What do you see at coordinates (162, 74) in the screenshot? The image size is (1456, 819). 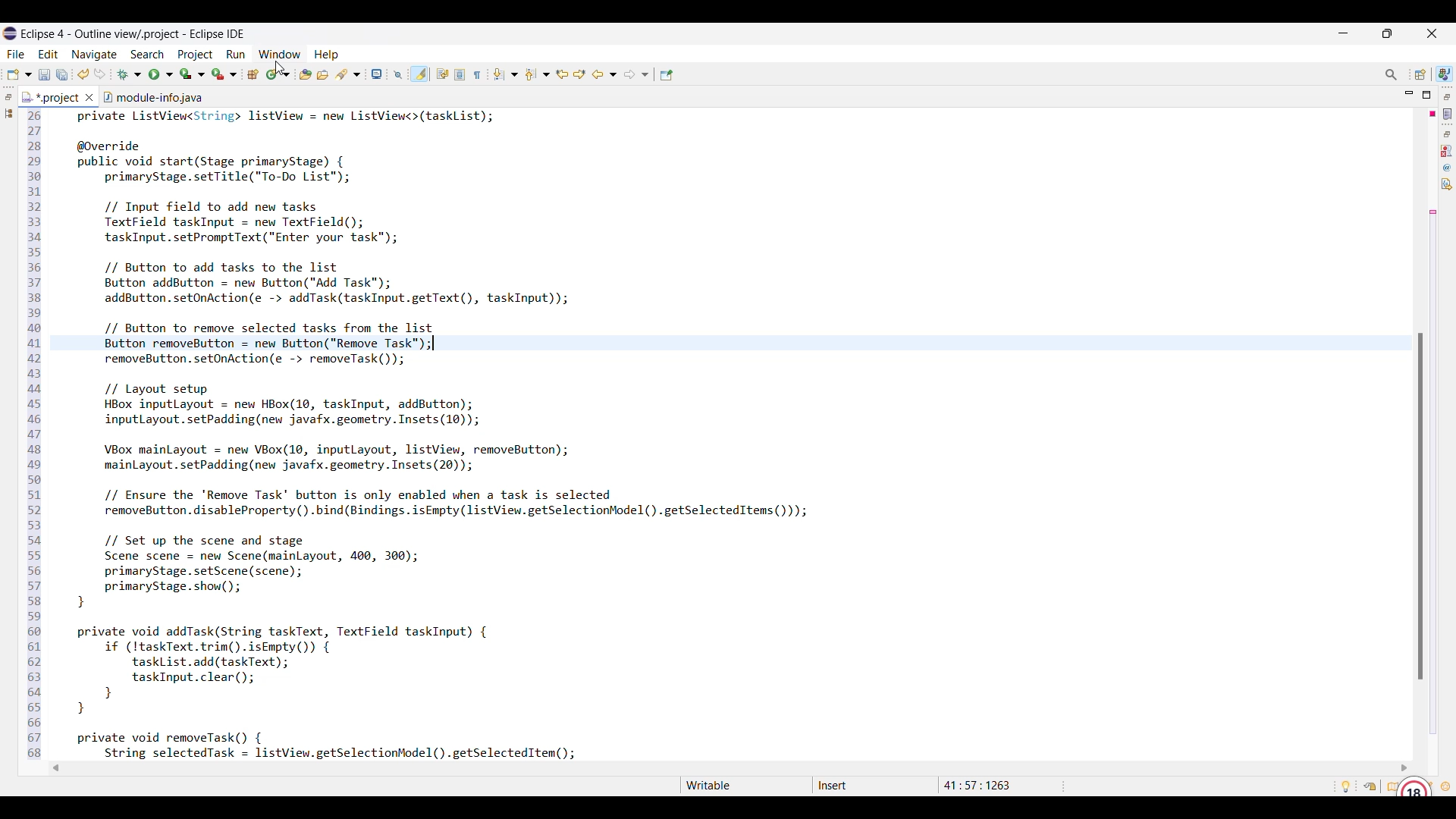 I see `Run options` at bounding box center [162, 74].